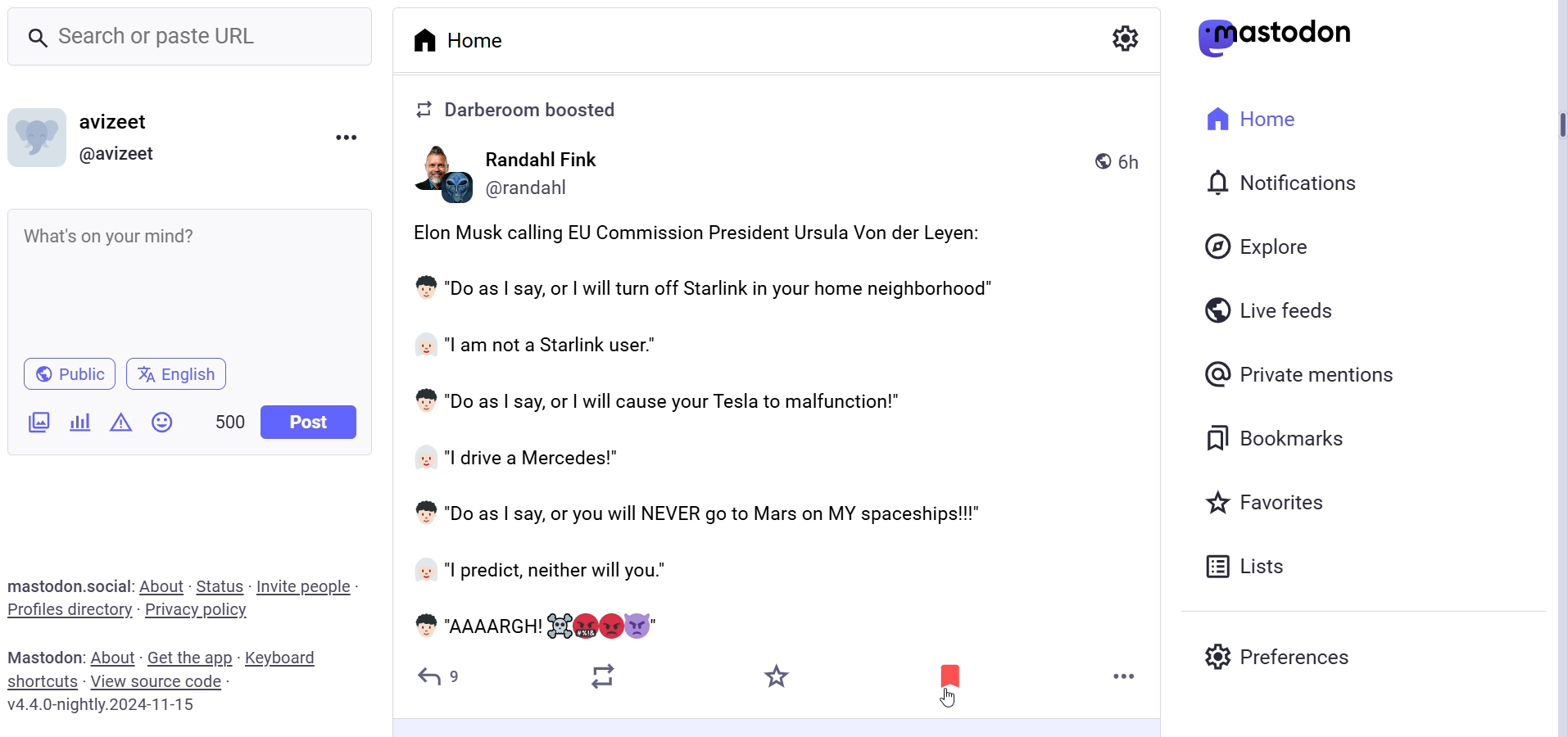 This screenshot has width=1568, height=737. Describe the element at coordinates (953, 673) in the screenshot. I see `Bookmarked post` at that location.